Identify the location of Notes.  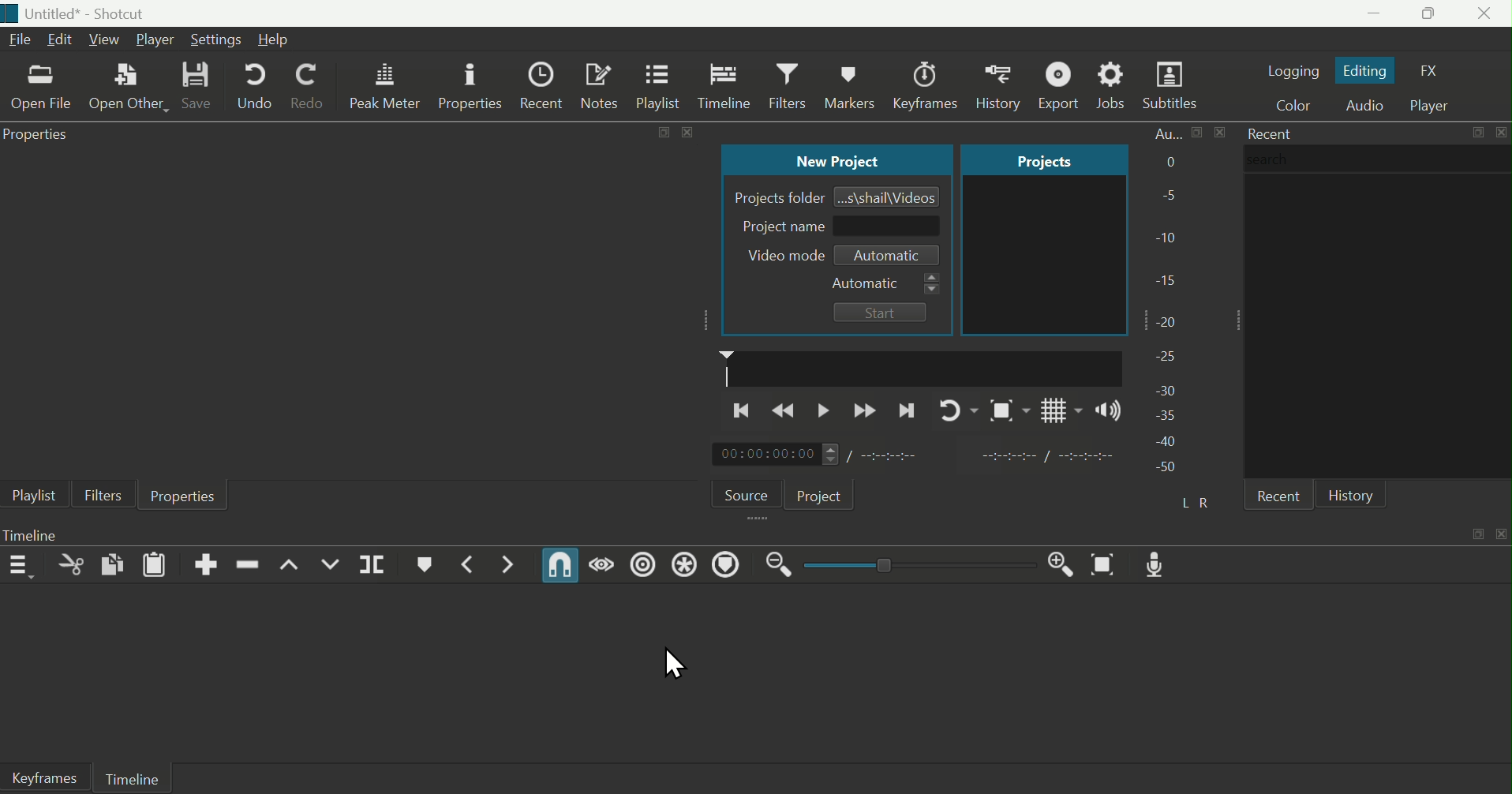
(602, 86).